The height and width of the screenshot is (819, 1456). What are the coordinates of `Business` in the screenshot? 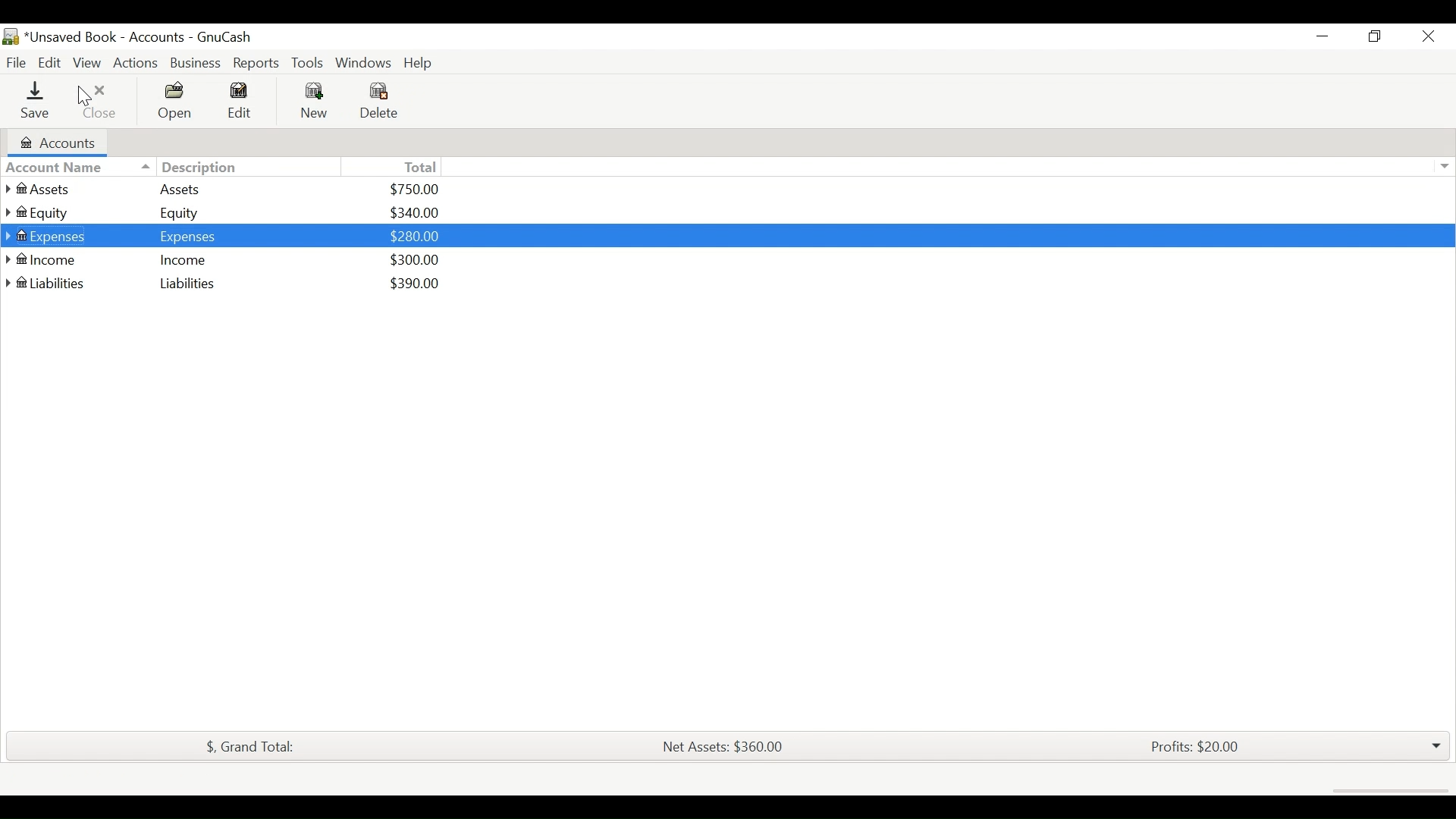 It's located at (195, 63).